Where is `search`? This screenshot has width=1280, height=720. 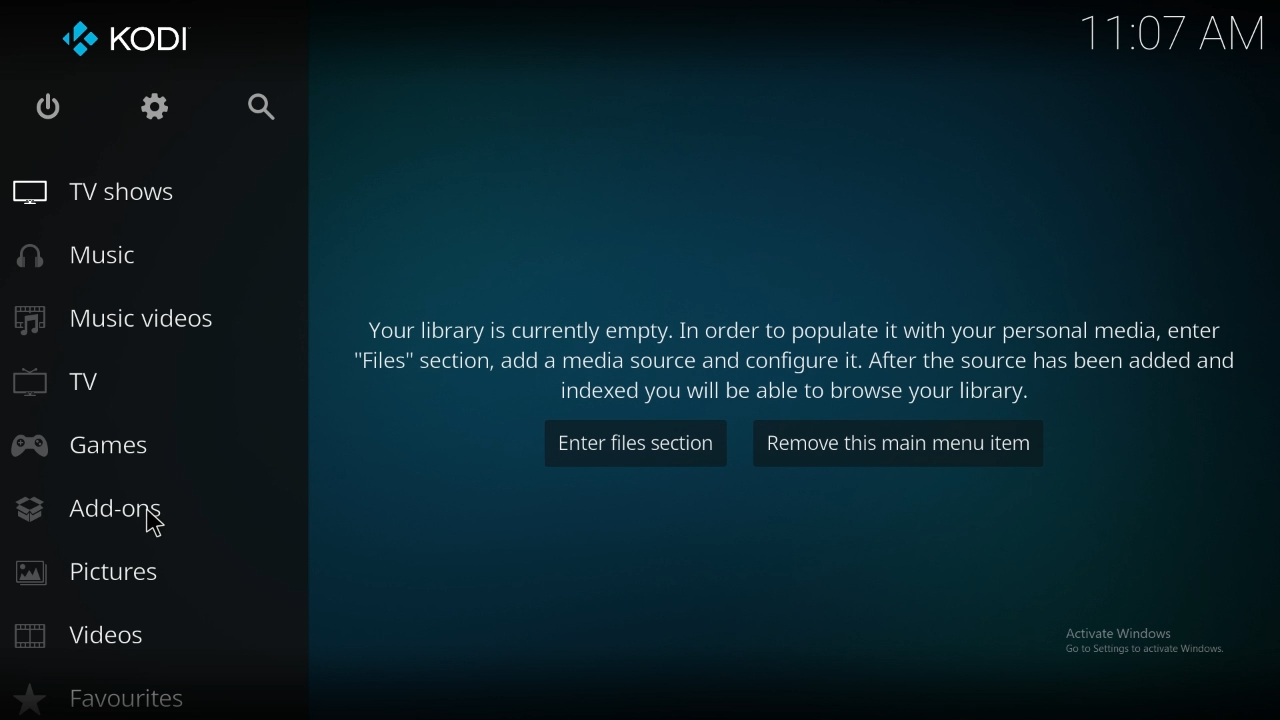
search is located at coordinates (266, 104).